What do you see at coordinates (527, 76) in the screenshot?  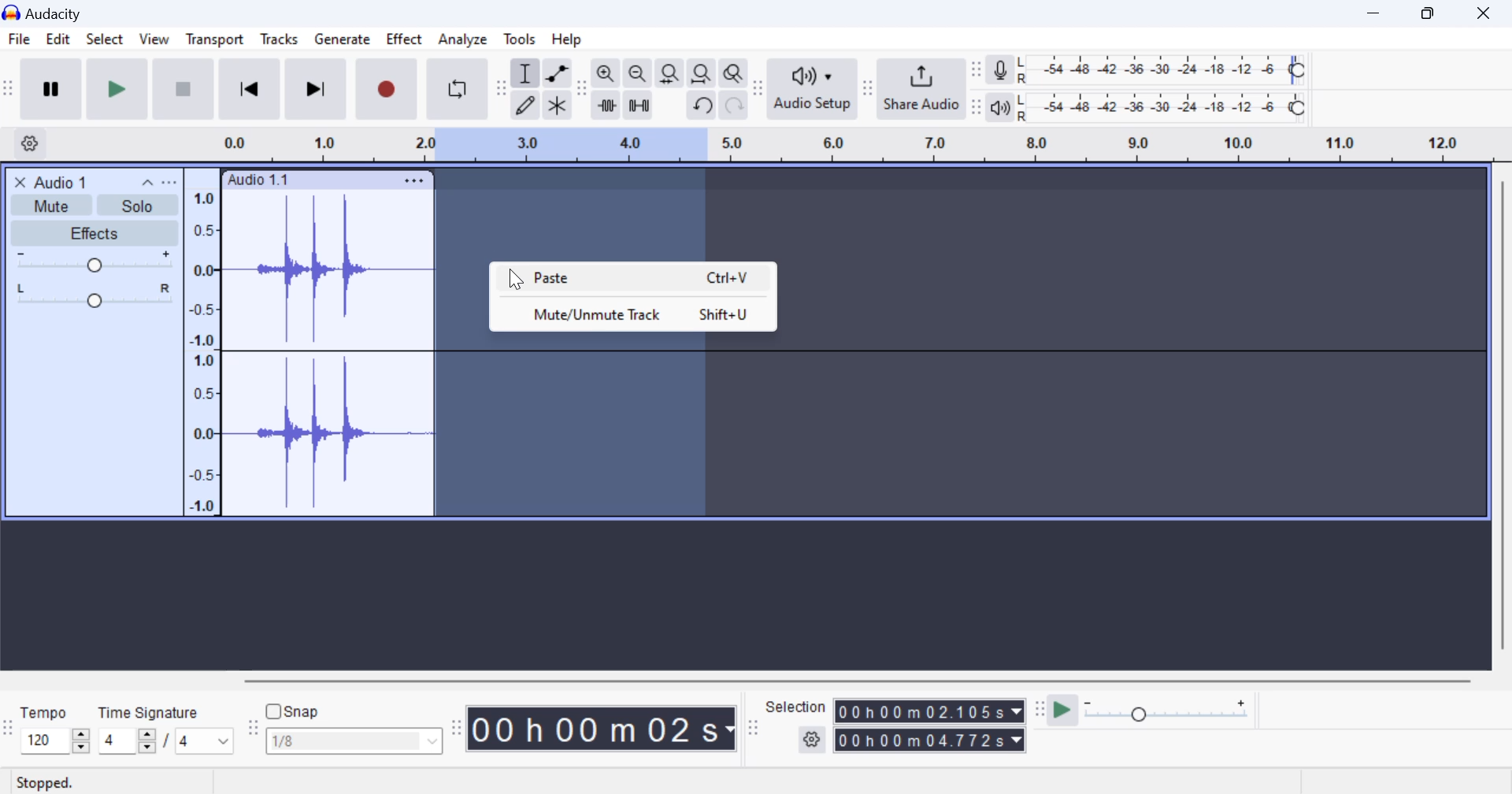 I see `selection tool` at bounding box center [527, 76].